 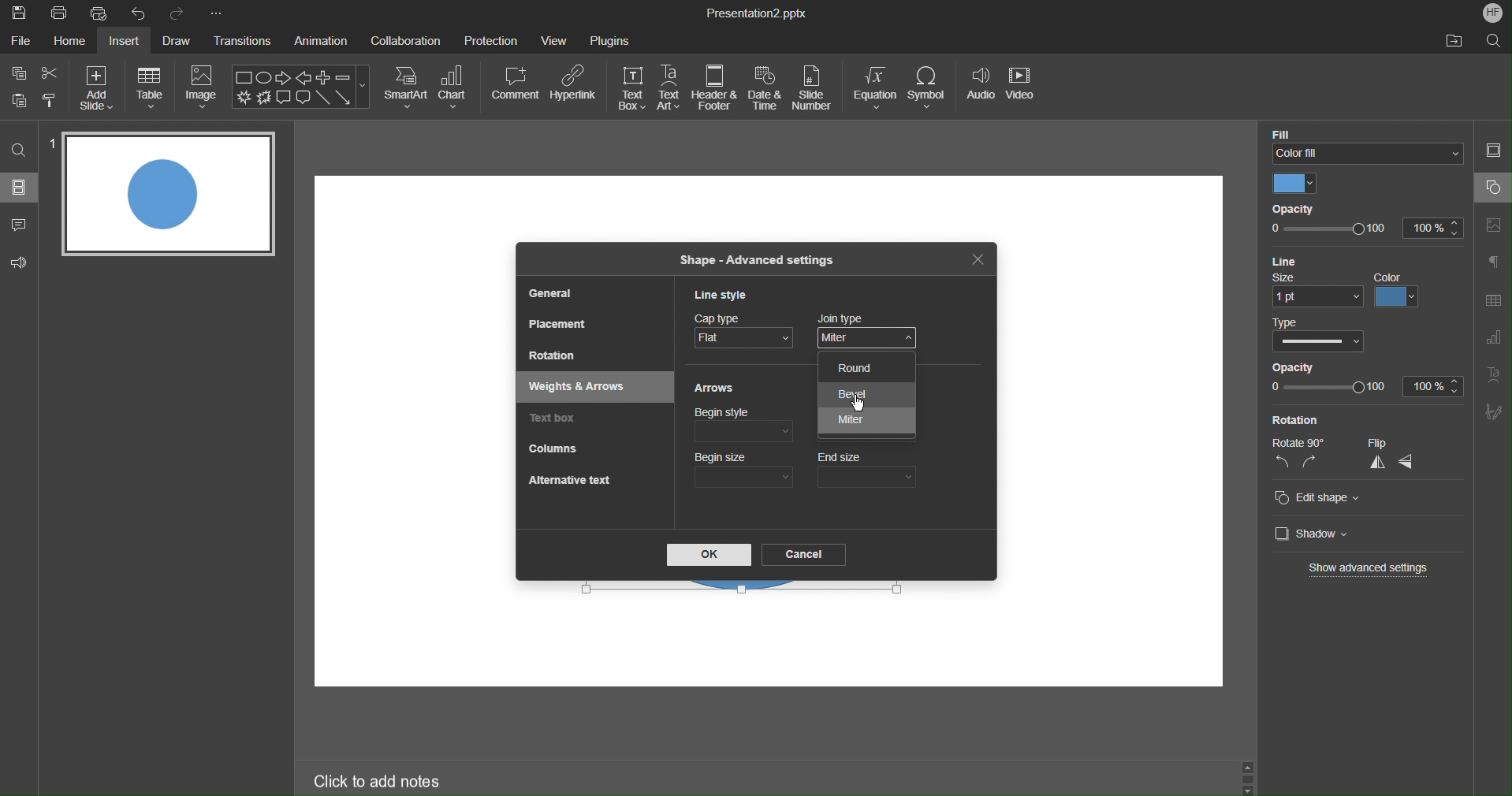 What do you see at coordinates (1430, 229) in the screenshot?
I see `100%` at bounding box center [1430, 229].